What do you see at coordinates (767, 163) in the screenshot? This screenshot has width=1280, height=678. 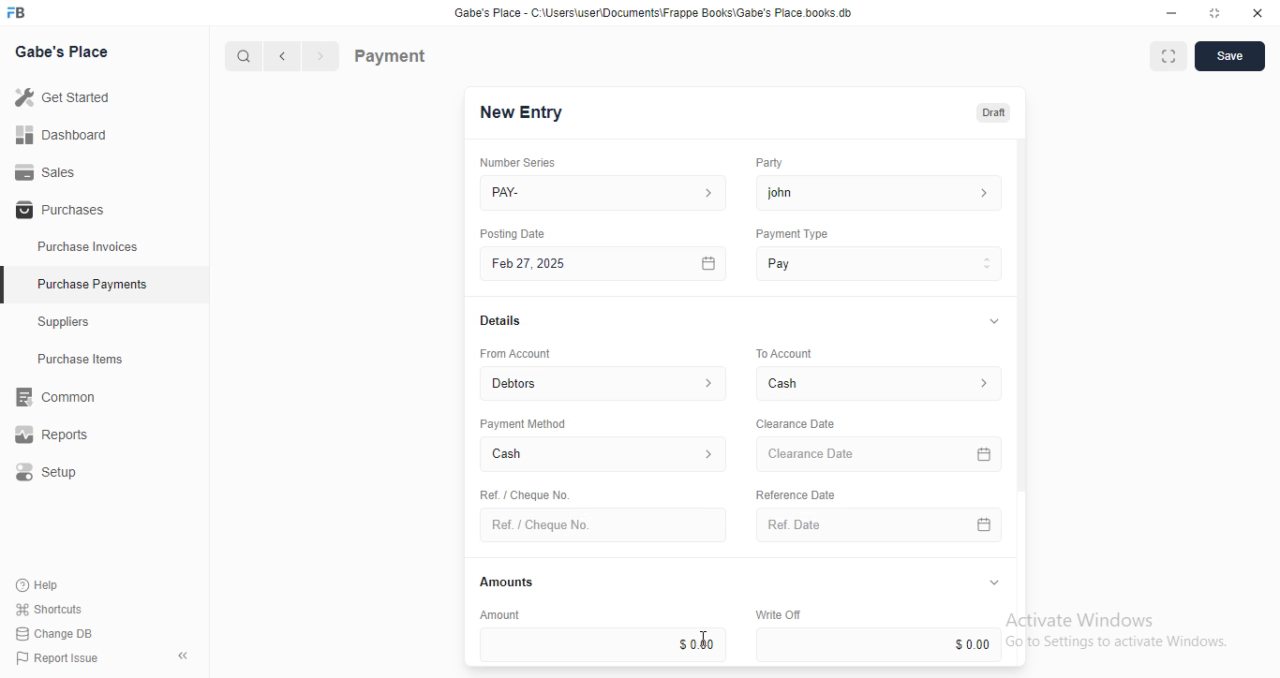 I see `Party` at bounding box center [767, 163].